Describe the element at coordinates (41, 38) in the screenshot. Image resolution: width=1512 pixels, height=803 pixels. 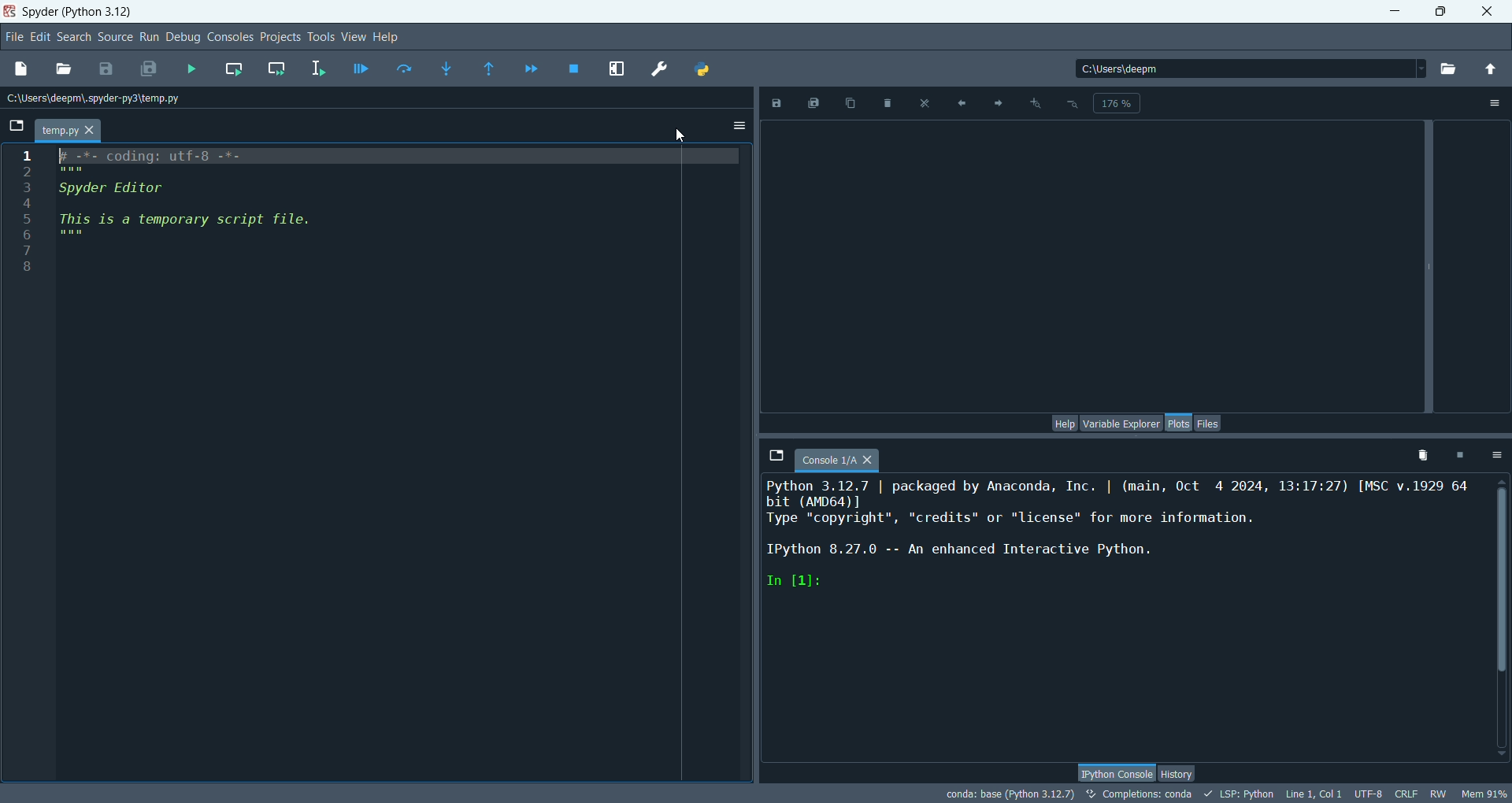
I see `edit` at that location.